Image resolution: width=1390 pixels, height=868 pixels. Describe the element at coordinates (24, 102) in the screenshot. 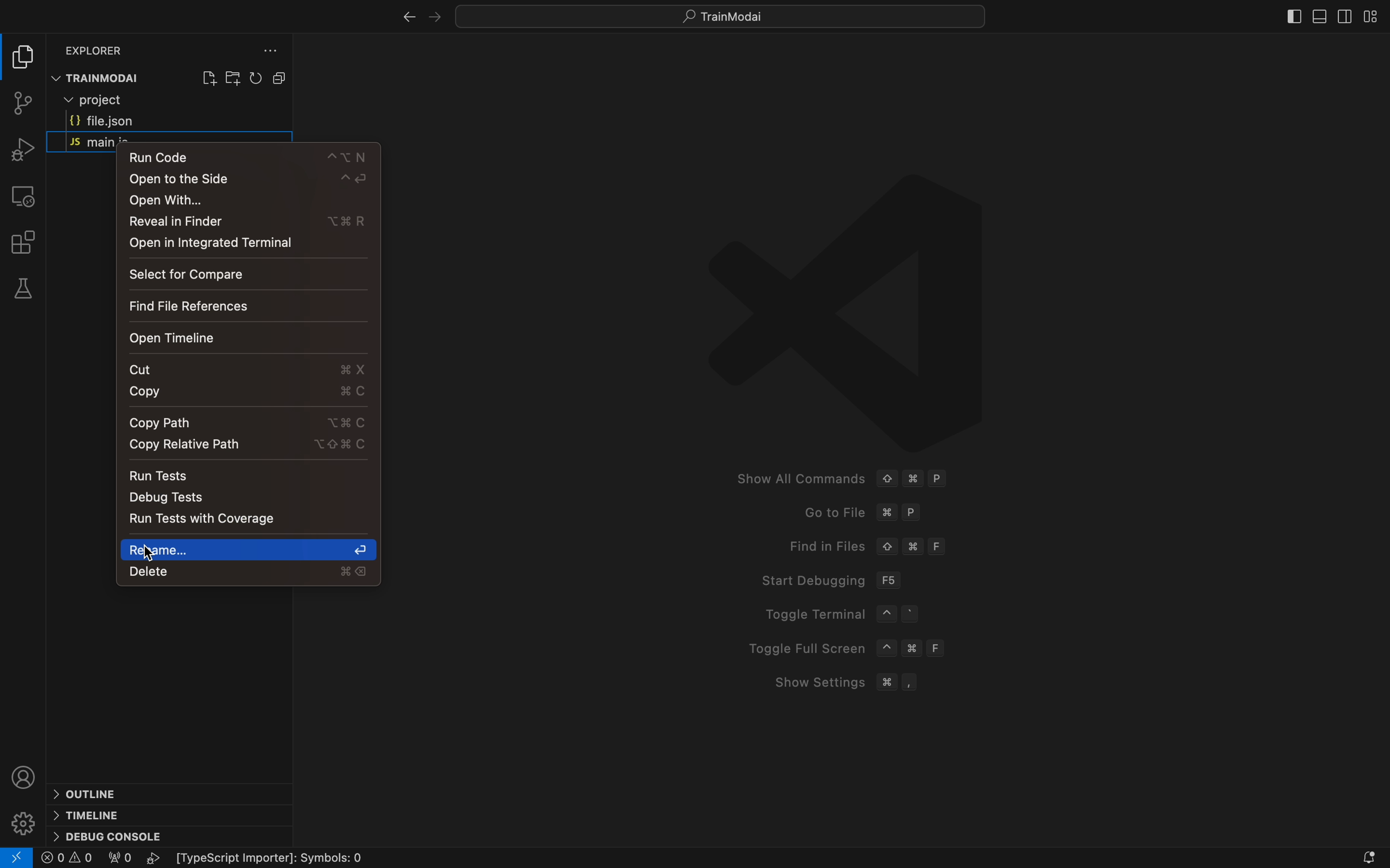

I see `git` at that location.